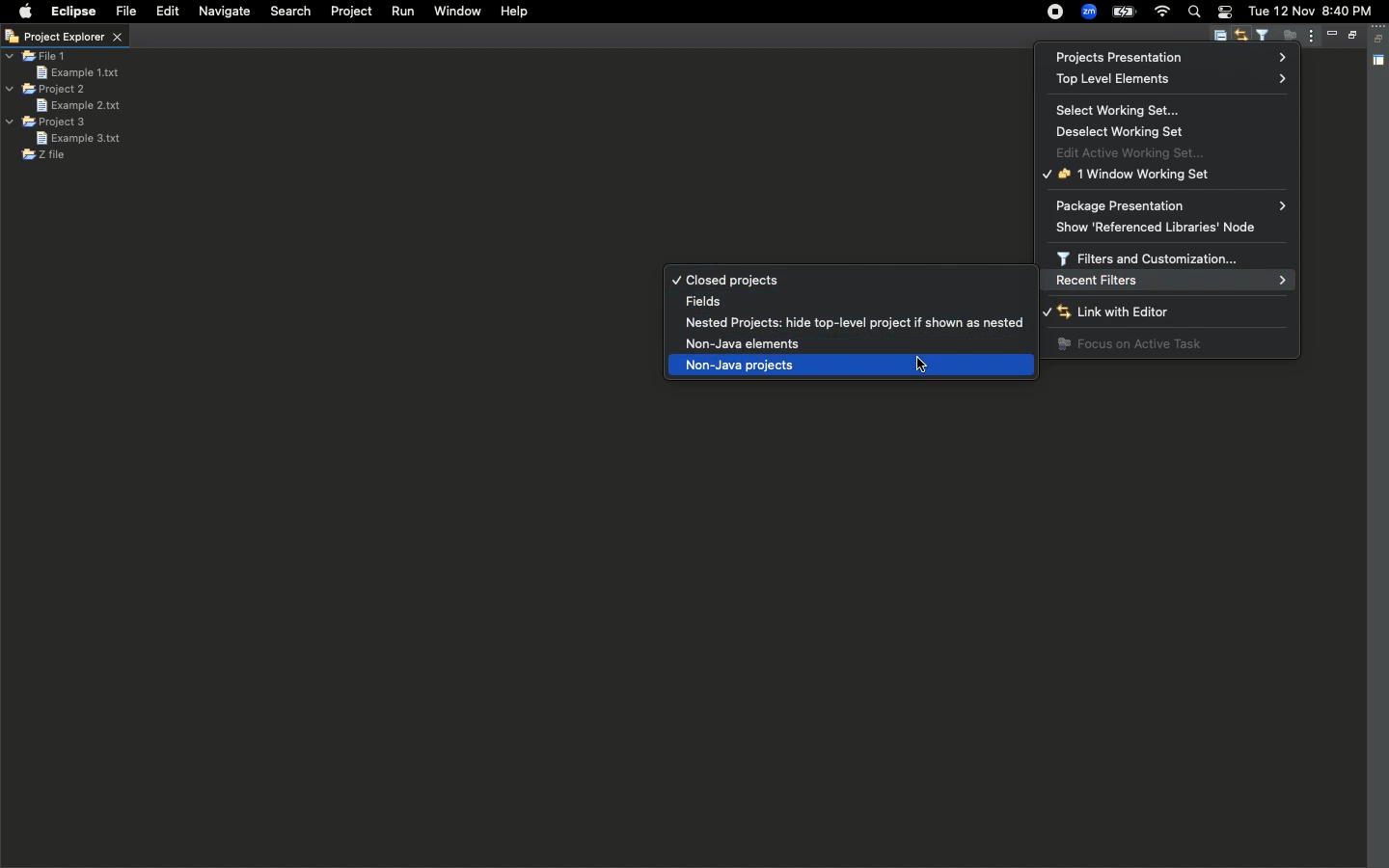  Describe the element at coordinates (861, 324) in the screenshot. I see `Nested projects: hide top-level project if shown as nested` at that location.